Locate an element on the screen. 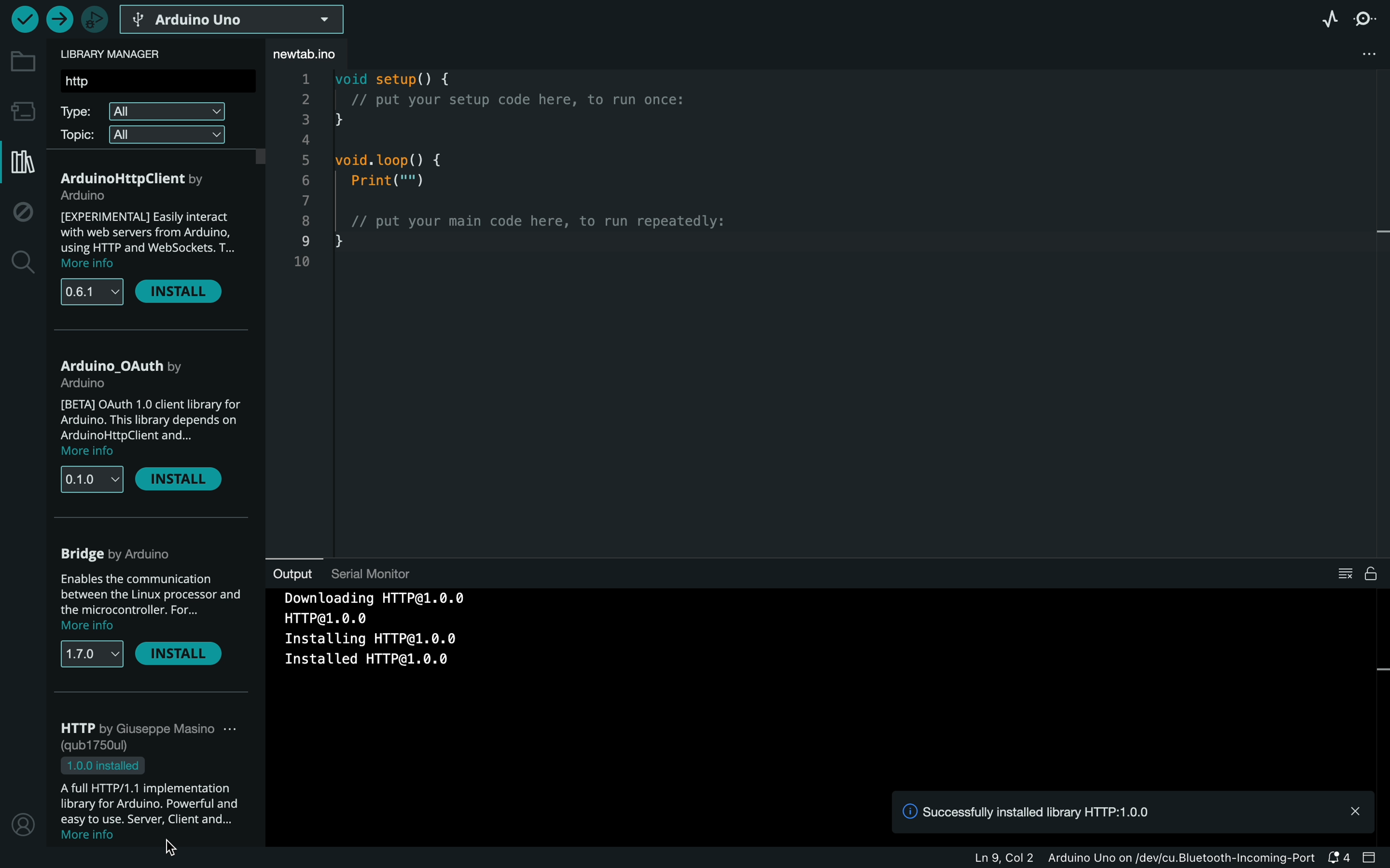 This screenshot has height=868, width=1390. downloading is located at coordinates (384, 635).